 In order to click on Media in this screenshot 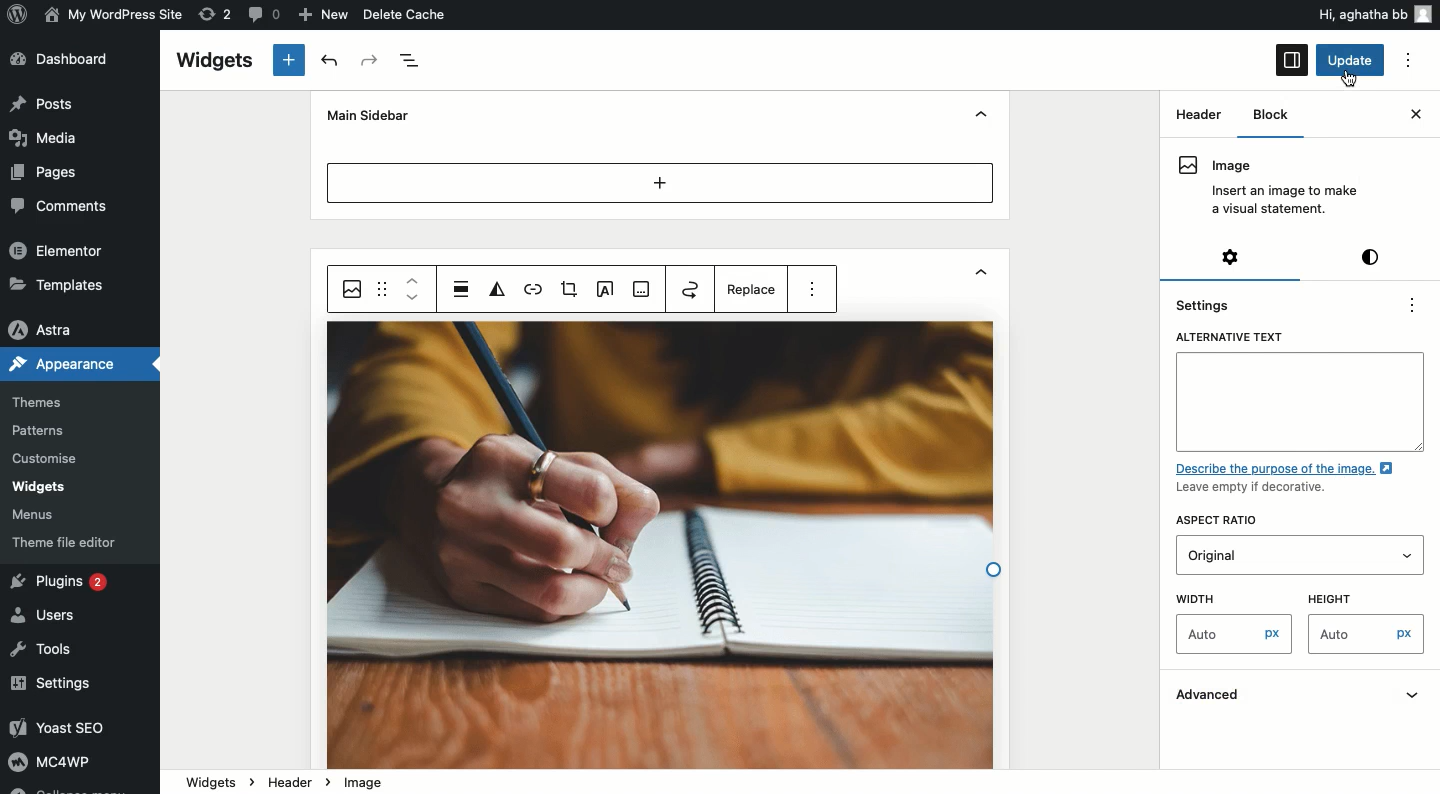, I will do `click(46, 136)`.